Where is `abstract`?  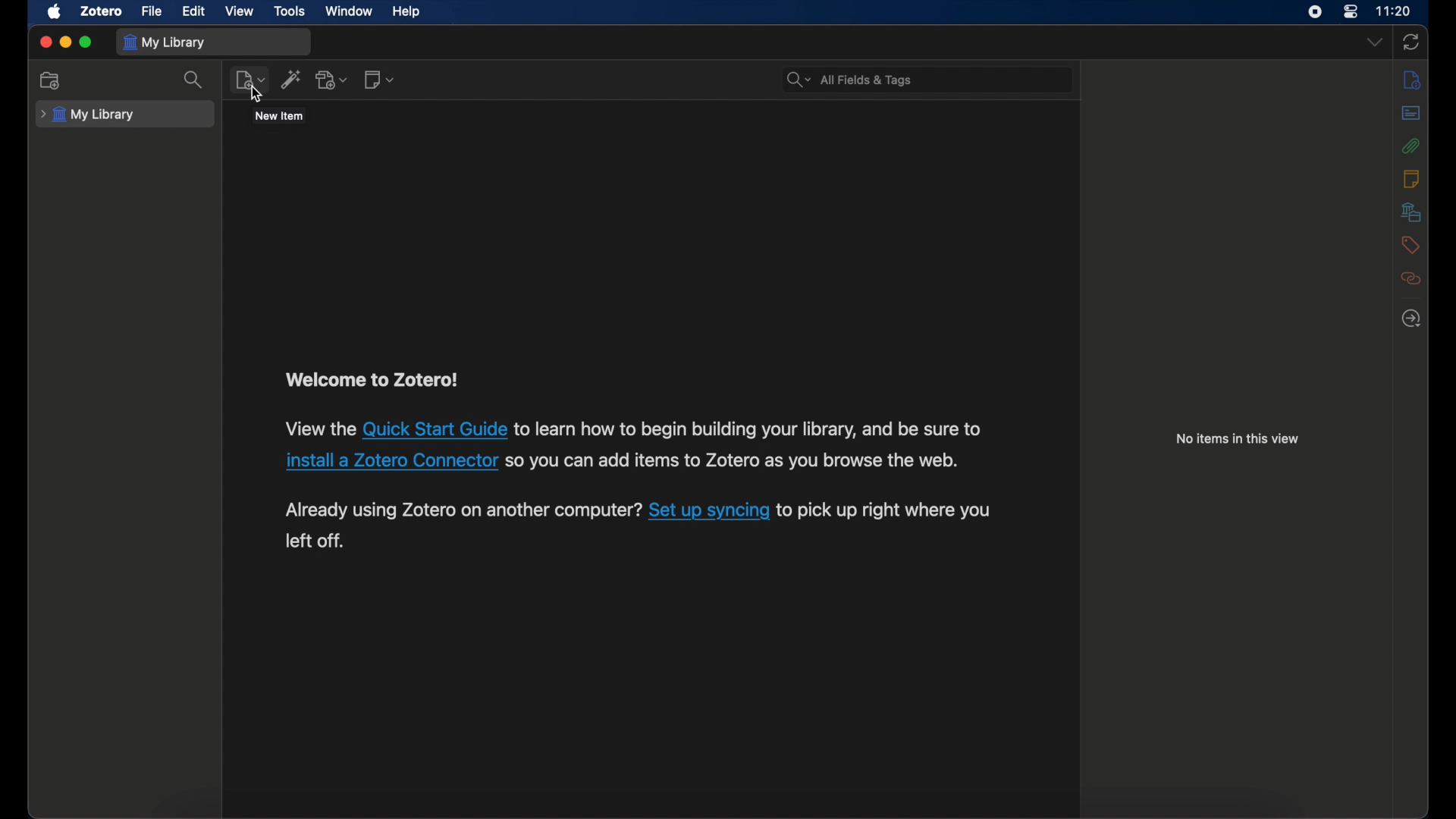 abstract is located at coordinates (1411, 112).